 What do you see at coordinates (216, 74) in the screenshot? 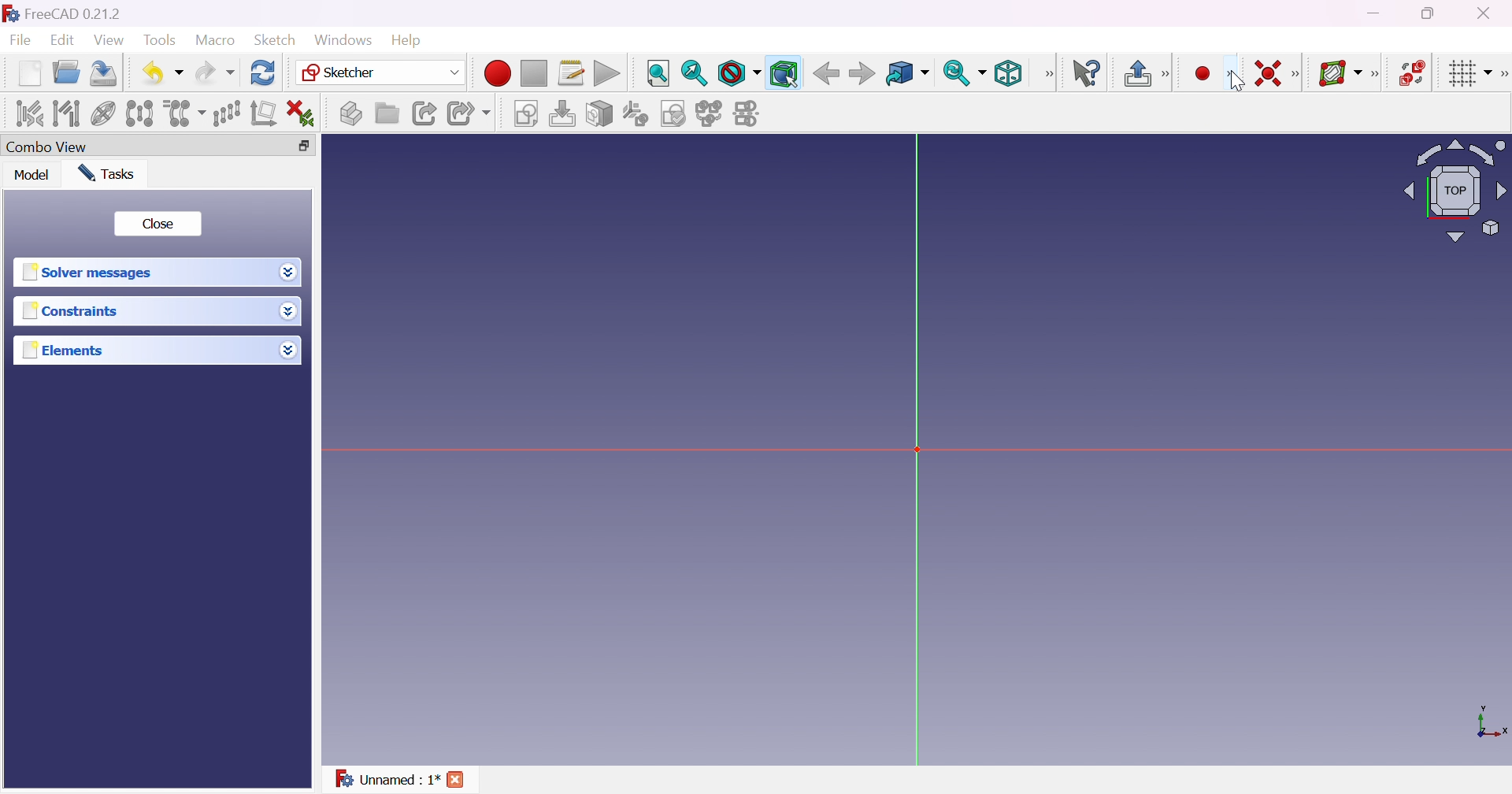
I see `Redo` at bounding box center [216, 74].